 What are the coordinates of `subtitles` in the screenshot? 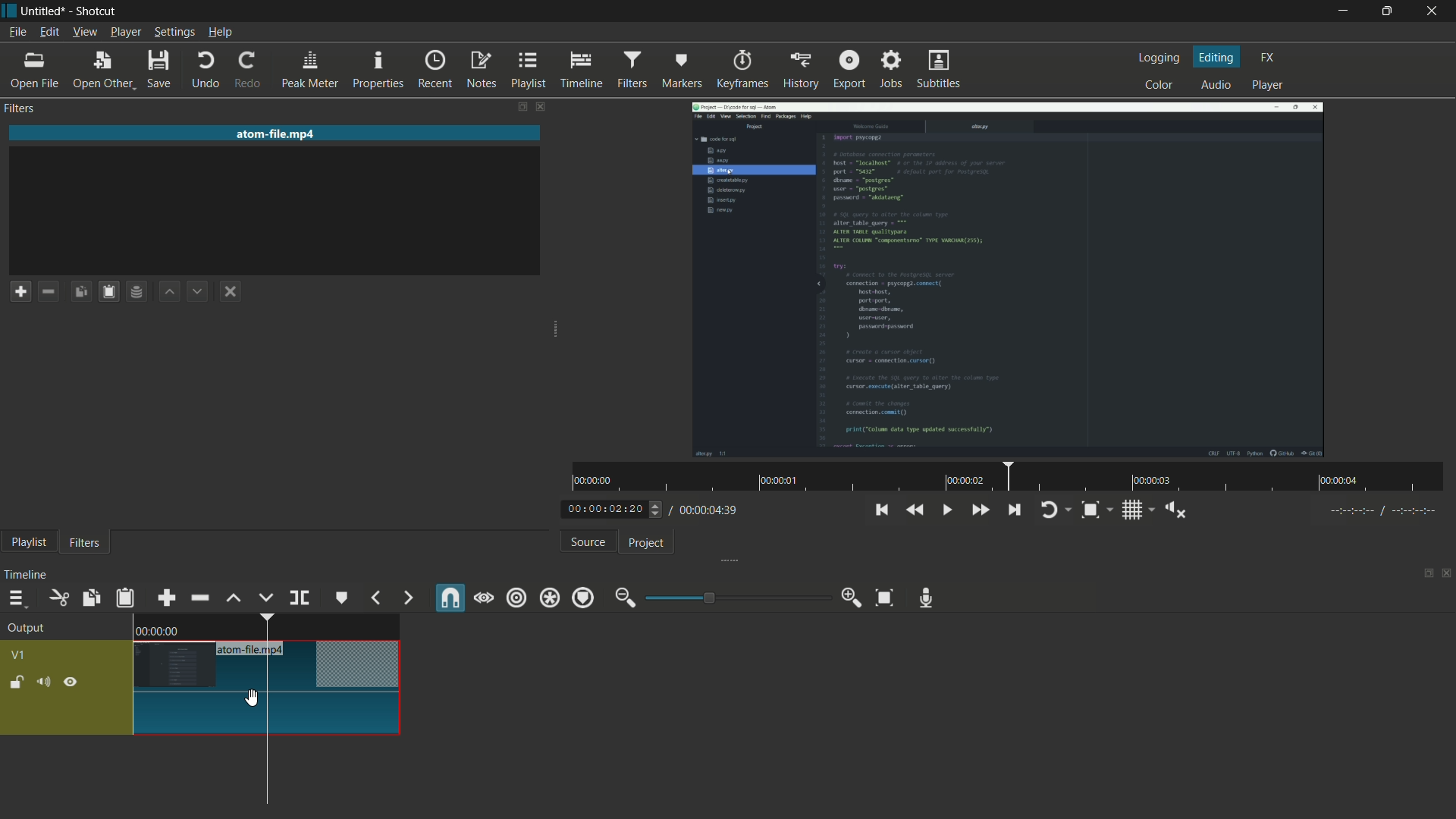 It's located at (940, 68).